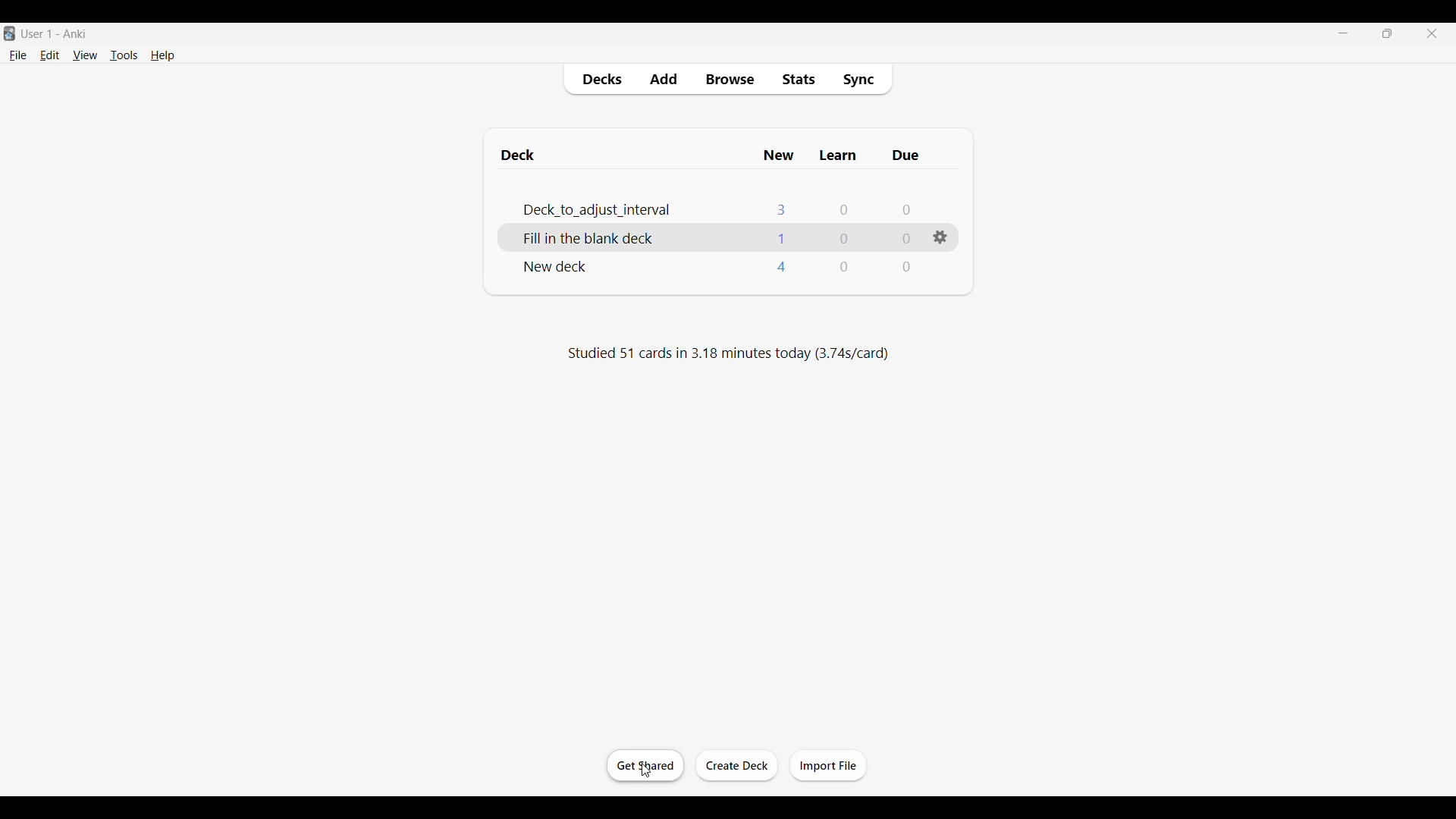 The width and height of the screenshot is (1456, 819). I want to click on Edit menu, so click(50, 55).